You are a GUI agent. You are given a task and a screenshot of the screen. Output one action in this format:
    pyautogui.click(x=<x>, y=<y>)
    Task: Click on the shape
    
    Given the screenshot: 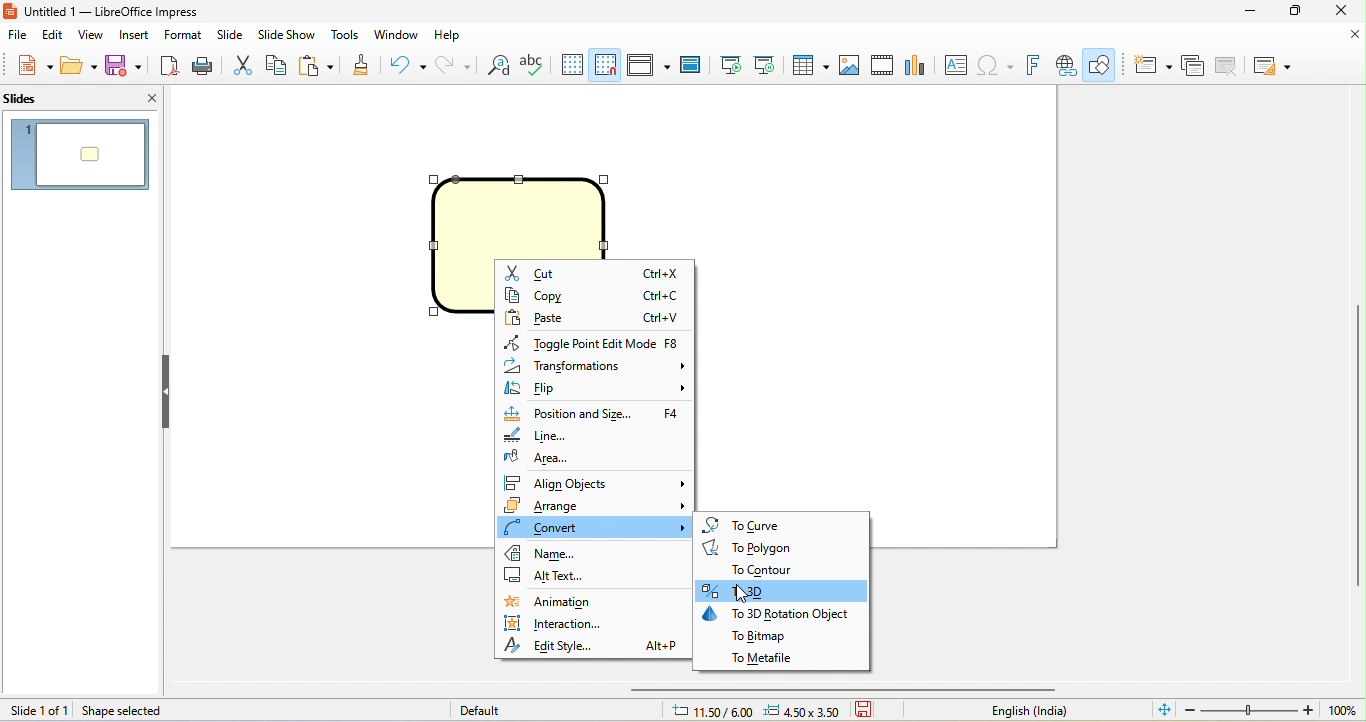 What is the action you would take?
    pyautogui.click(x=532, y=211)
    